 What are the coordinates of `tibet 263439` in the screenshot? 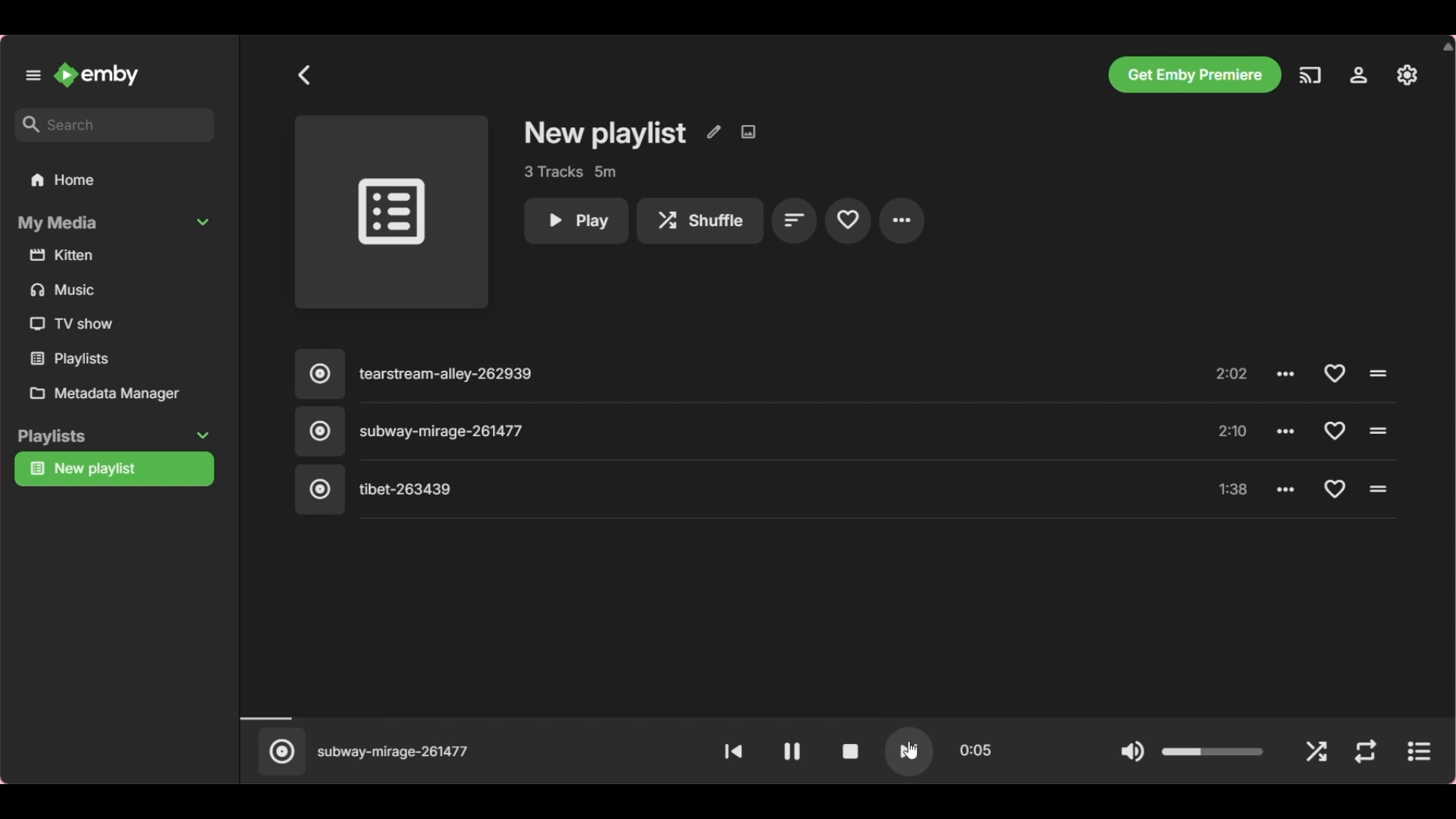 It's located at (376, 490).